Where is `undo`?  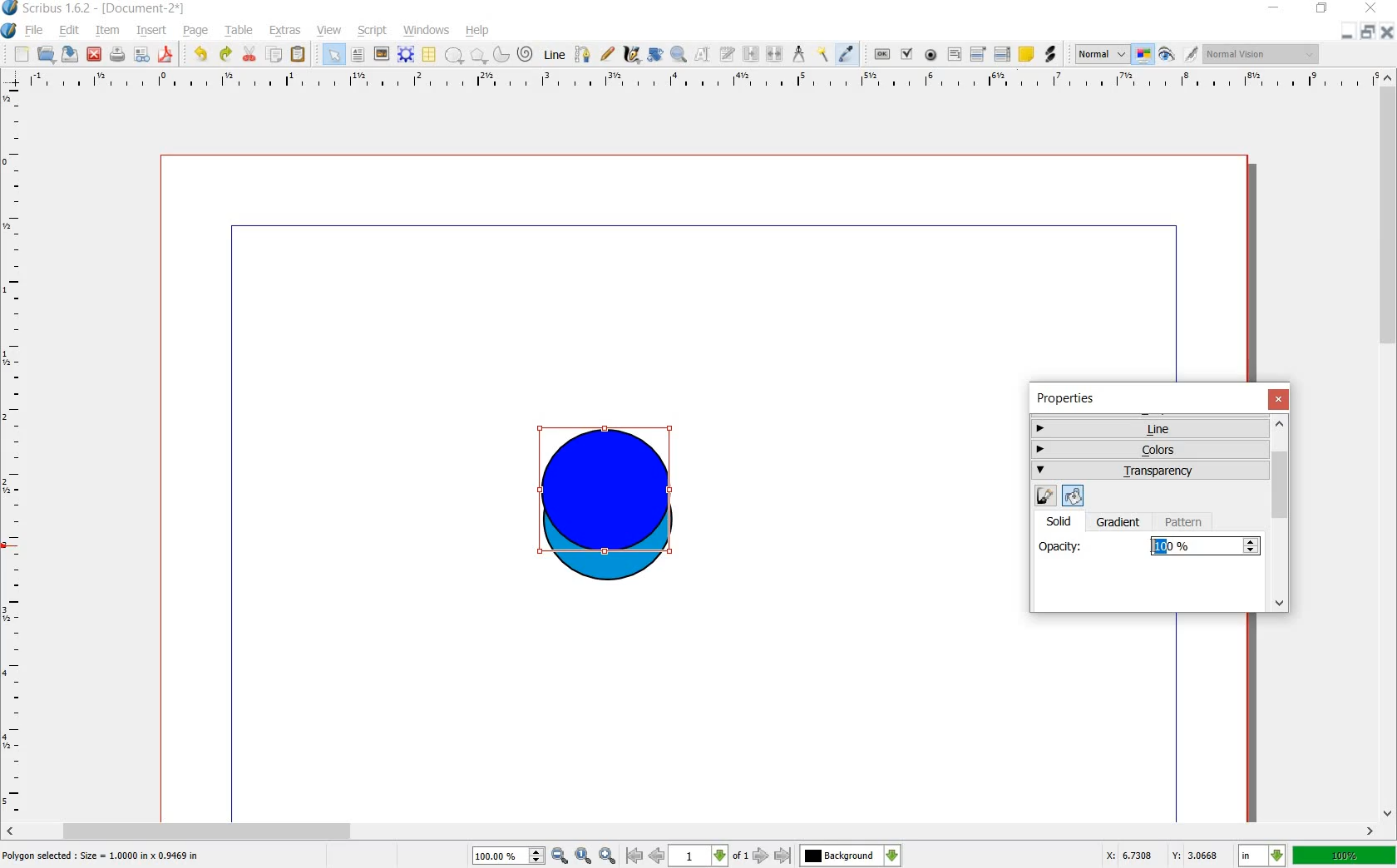 undo is located at coordinates (202, 55).